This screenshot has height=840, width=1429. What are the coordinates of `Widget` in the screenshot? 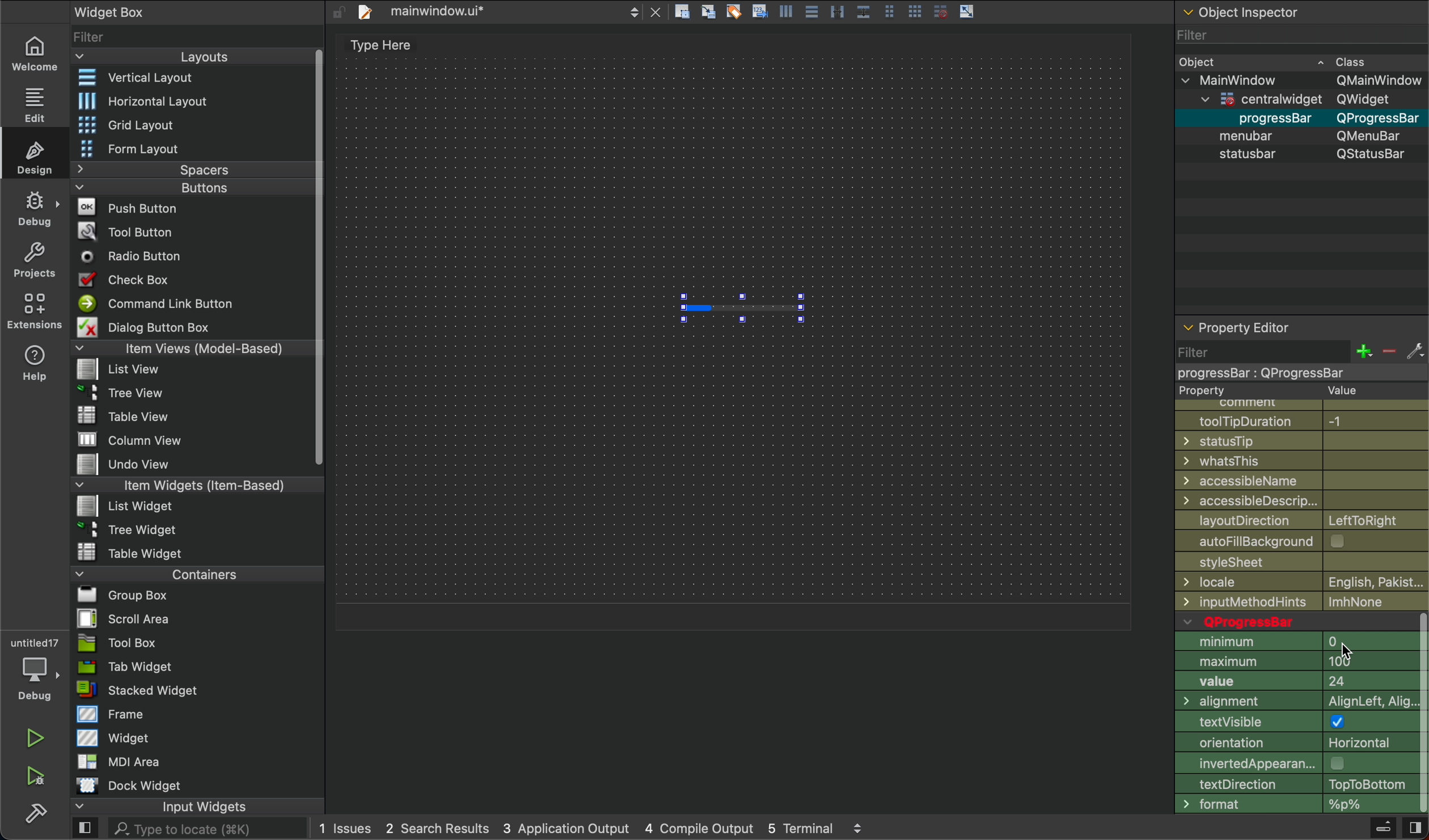 It's located at (116, 737).